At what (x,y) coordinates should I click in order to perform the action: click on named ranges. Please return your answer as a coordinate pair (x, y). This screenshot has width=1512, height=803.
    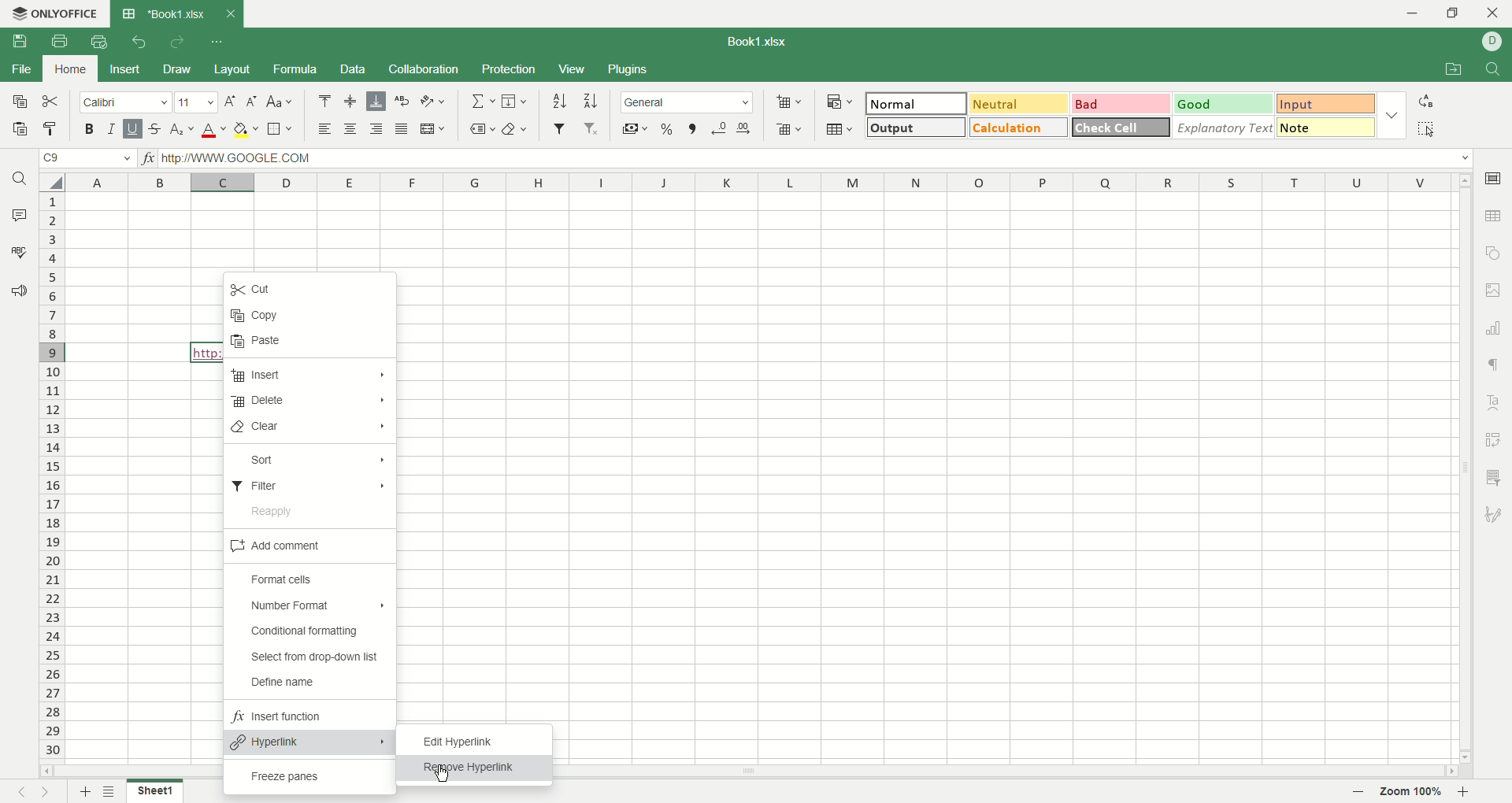
    Looking at the image, I should click on (483, 131).